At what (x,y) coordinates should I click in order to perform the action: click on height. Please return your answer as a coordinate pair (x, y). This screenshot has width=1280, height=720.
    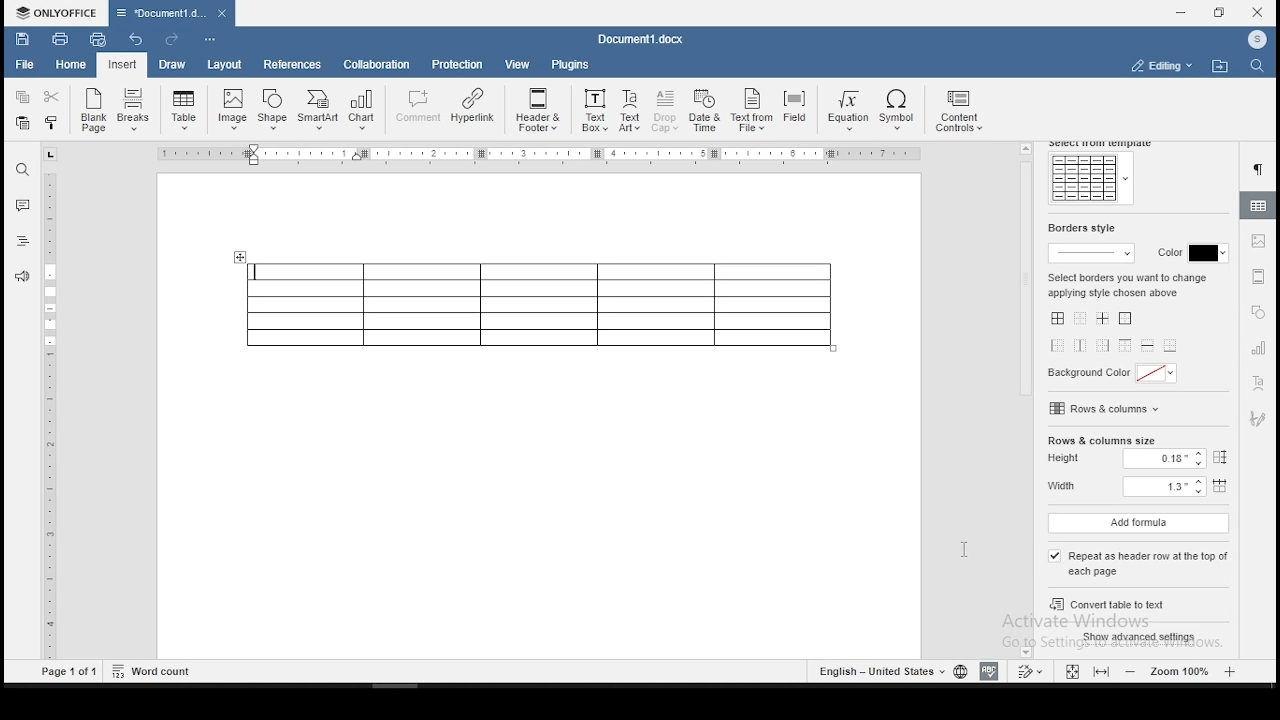
    Looking at the image, I should click on (1142, 460).